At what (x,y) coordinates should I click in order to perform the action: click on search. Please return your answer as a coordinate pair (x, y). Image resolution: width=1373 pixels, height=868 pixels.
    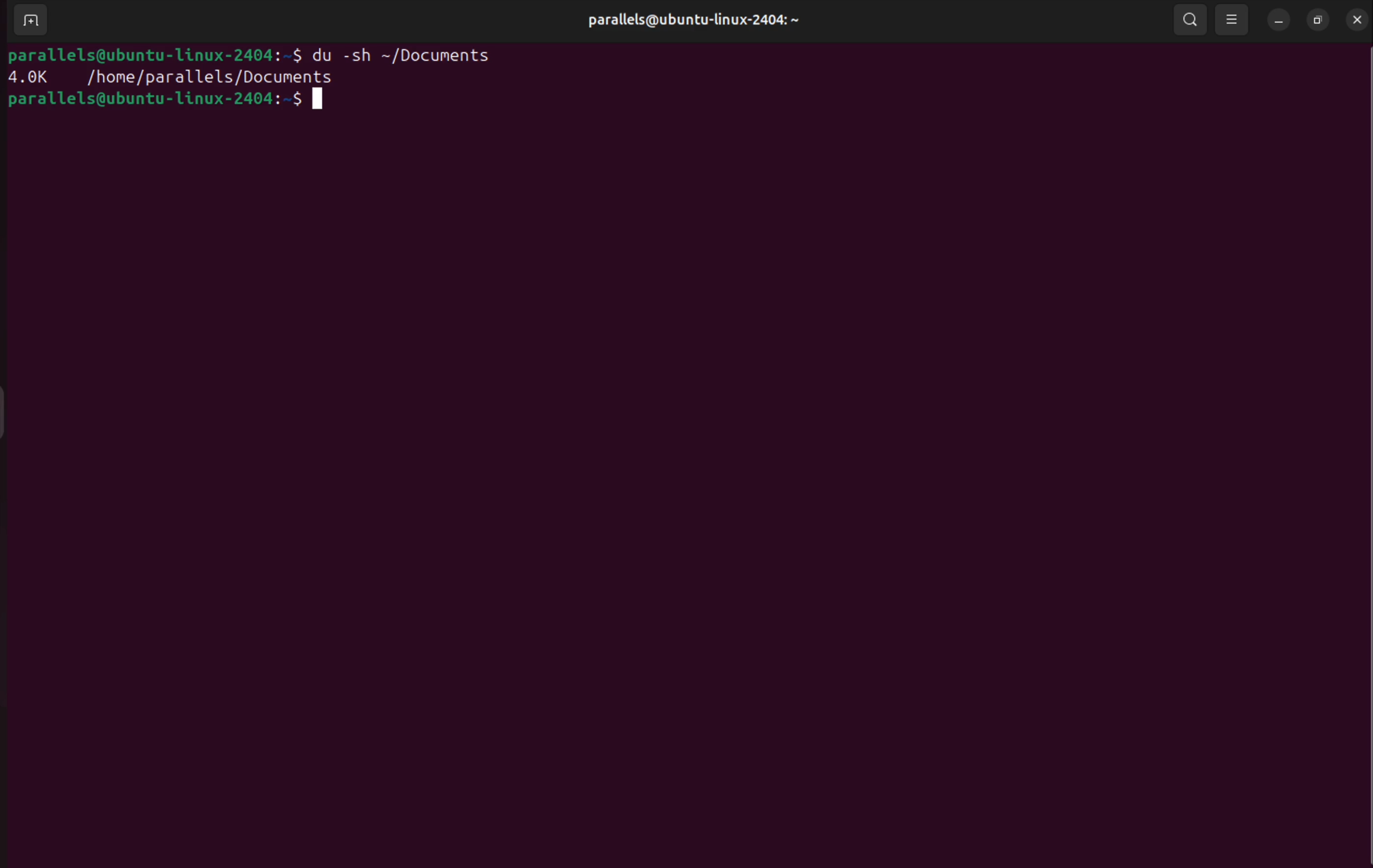
    Looking at the image, I should click on (1191, 21).